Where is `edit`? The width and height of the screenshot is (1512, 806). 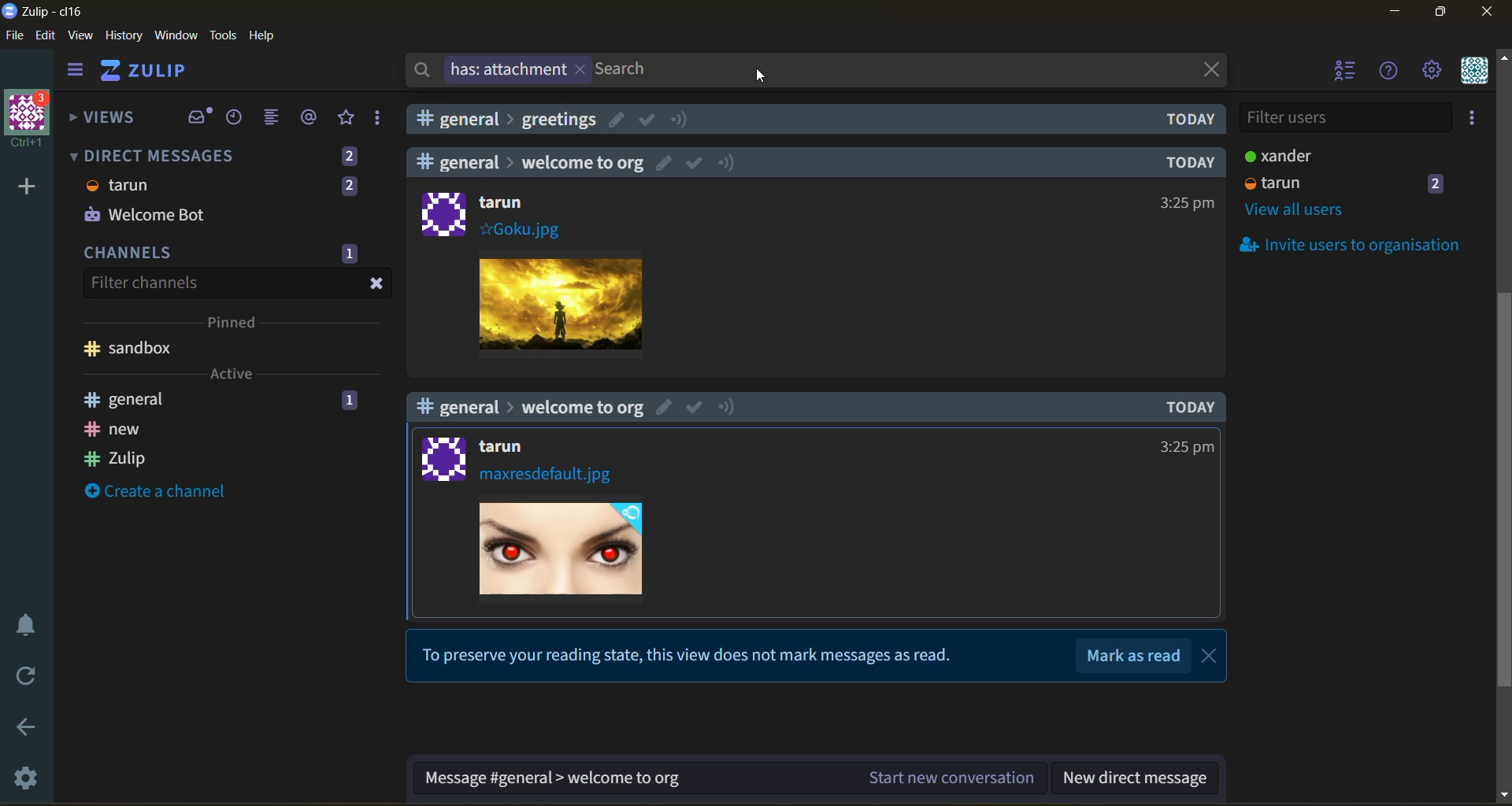
edit is located at coordinates (665, 406).